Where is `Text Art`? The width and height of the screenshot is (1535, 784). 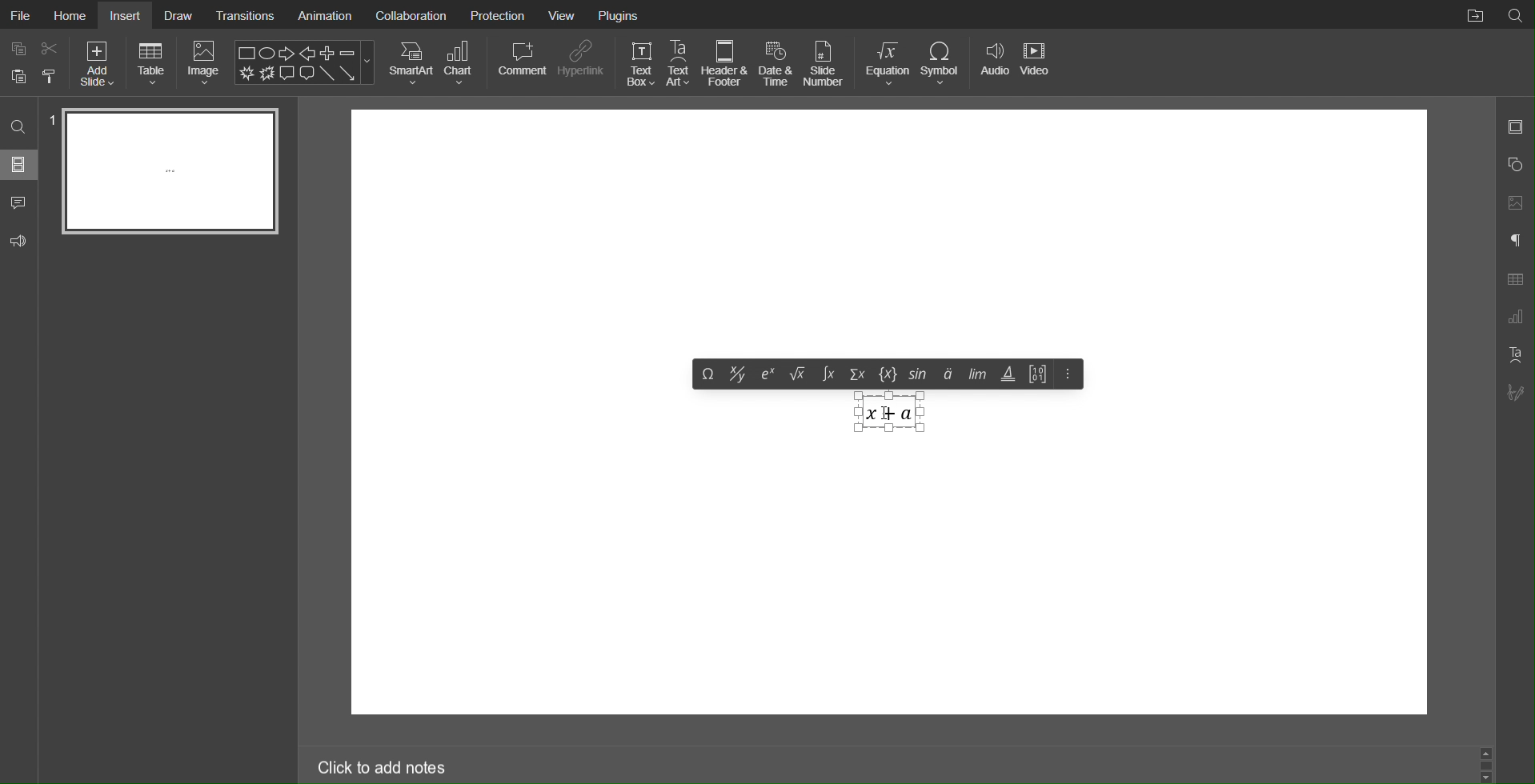 Text Art is located at coordinates (679, 62).